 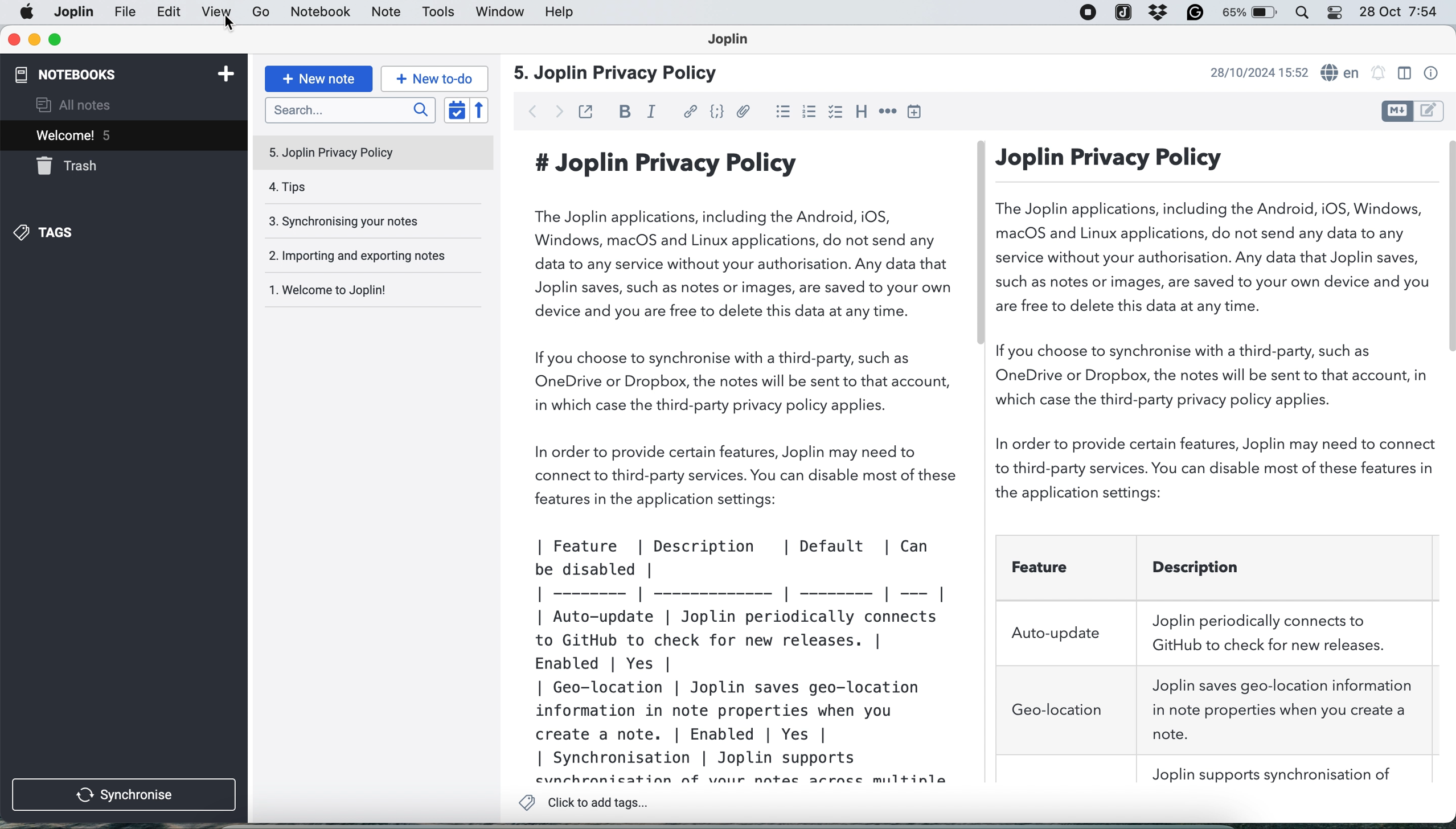 What do you see at coordinates (1216, 463) in the screenshot?
I see ` Joplin Privacy Policy The Joplin applications, including the Android, iOS, Windows, macOS and Linux applications, do not send any data to any service without your authorisation. Any data that Joplin saves, such as notes or images, are saved to your own device and you are free to delete this data at any time. If you choose to synchronise with a third-party, such as OneDrive or Dropbox, the notes will be sent to that account, in which case the third-party privacy policy applies. In order to provide certain features, Joplin may need to connect to third-party services. You can disable most of these features in the application settings: Feature Description Joplin periodically connects to Auto-update GitHub to check for new releases. Joplin saves geo-location information Geo-location in note properties when you create a note.` at bounding box center [1216, 463].